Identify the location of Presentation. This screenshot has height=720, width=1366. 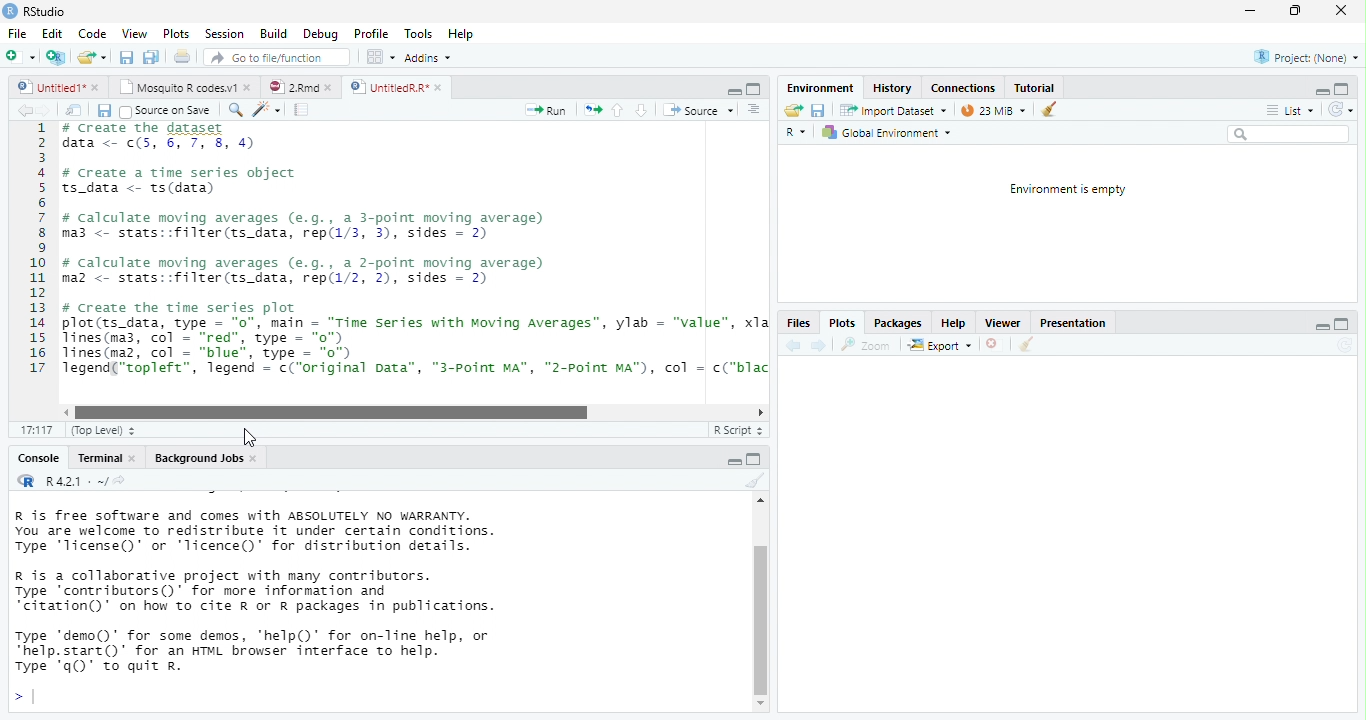
(1071, 325).